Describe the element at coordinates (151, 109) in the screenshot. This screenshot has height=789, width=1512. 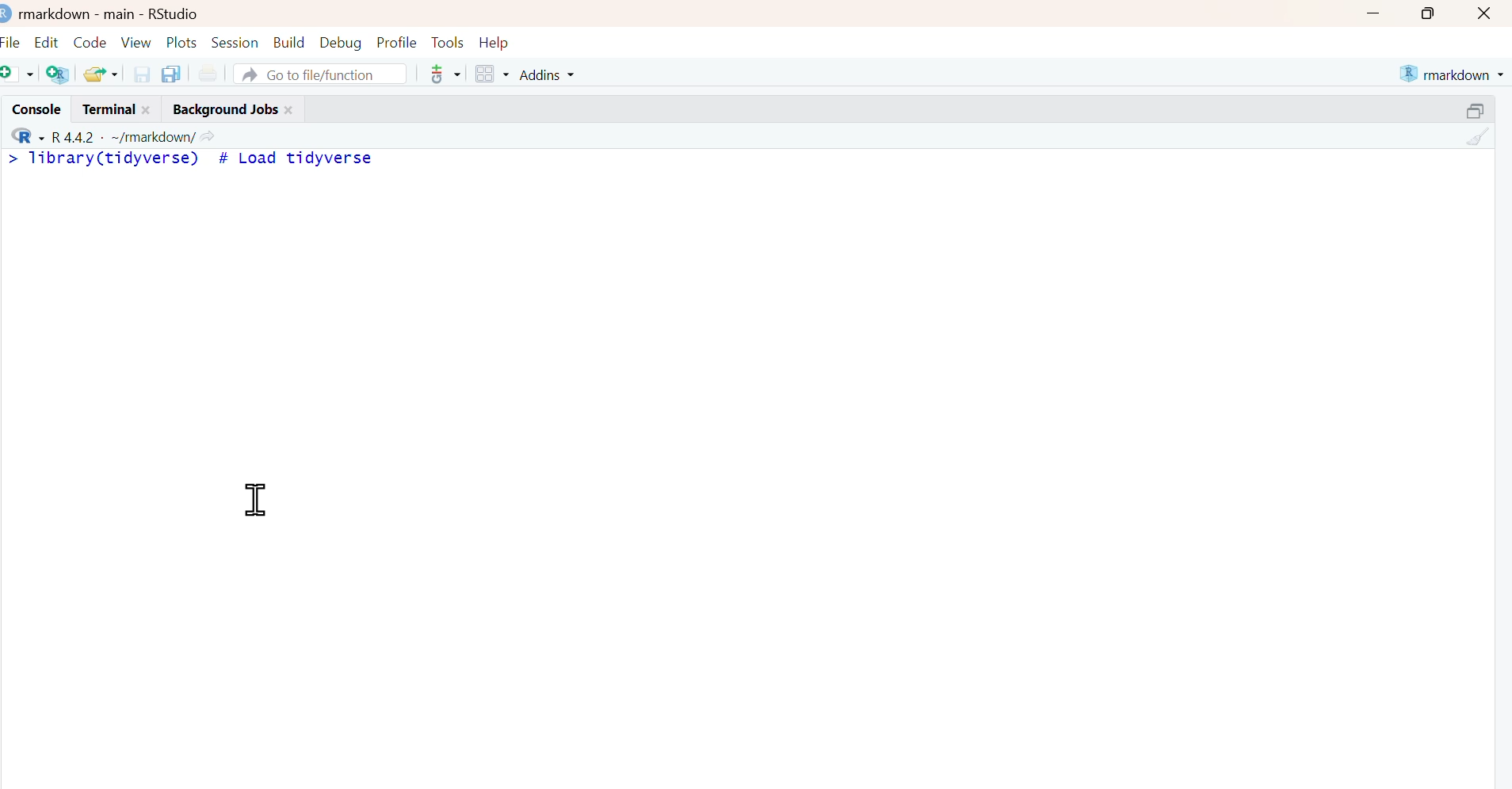
I see `close` at that location.